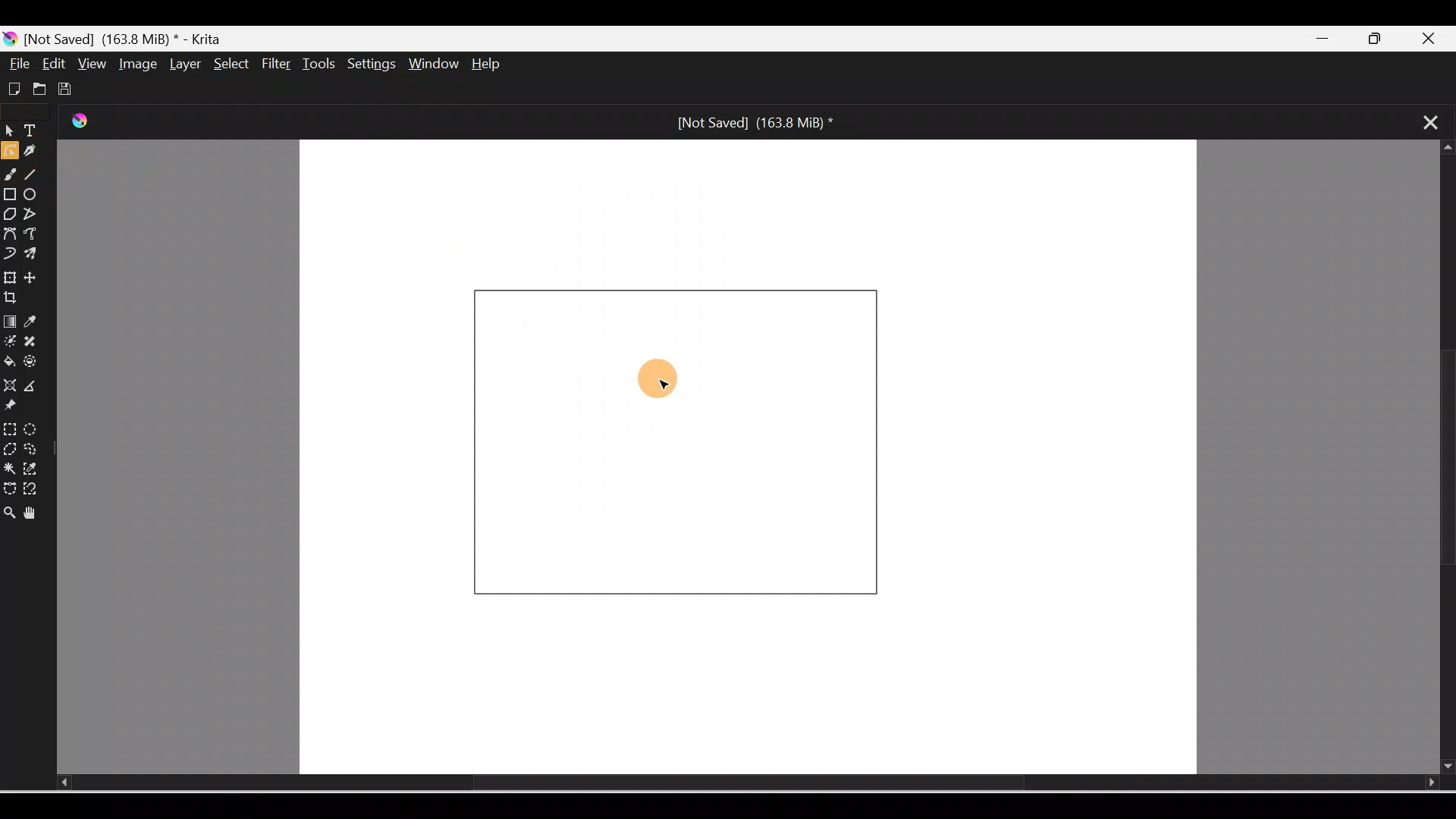 This screenshot has height=819, width=1456. I want to click on Smart patch tool, so click(37, 342).